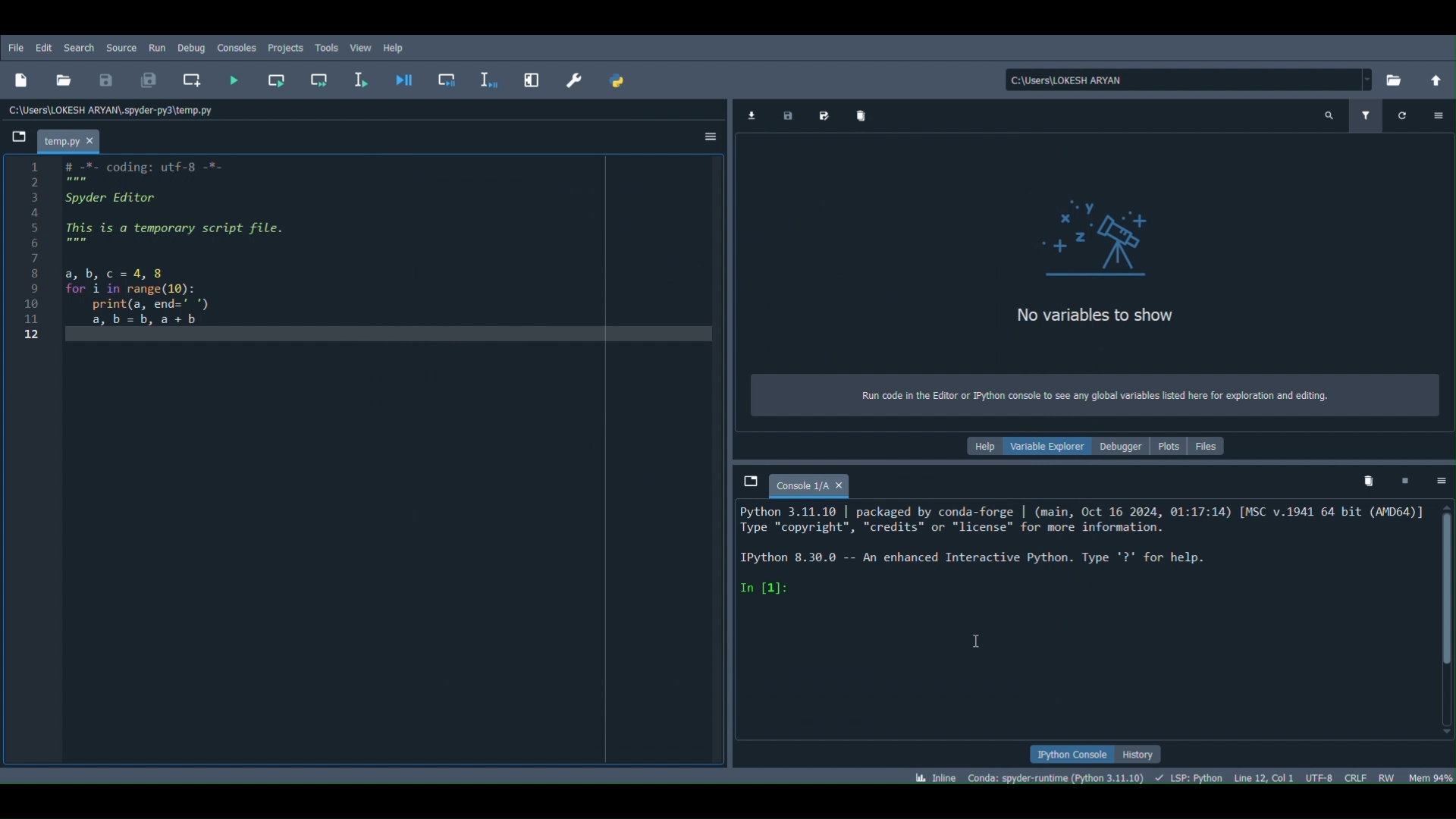  Describe the element at coordinates (322, 47) in the screenshot. I see `Tools` at that location.